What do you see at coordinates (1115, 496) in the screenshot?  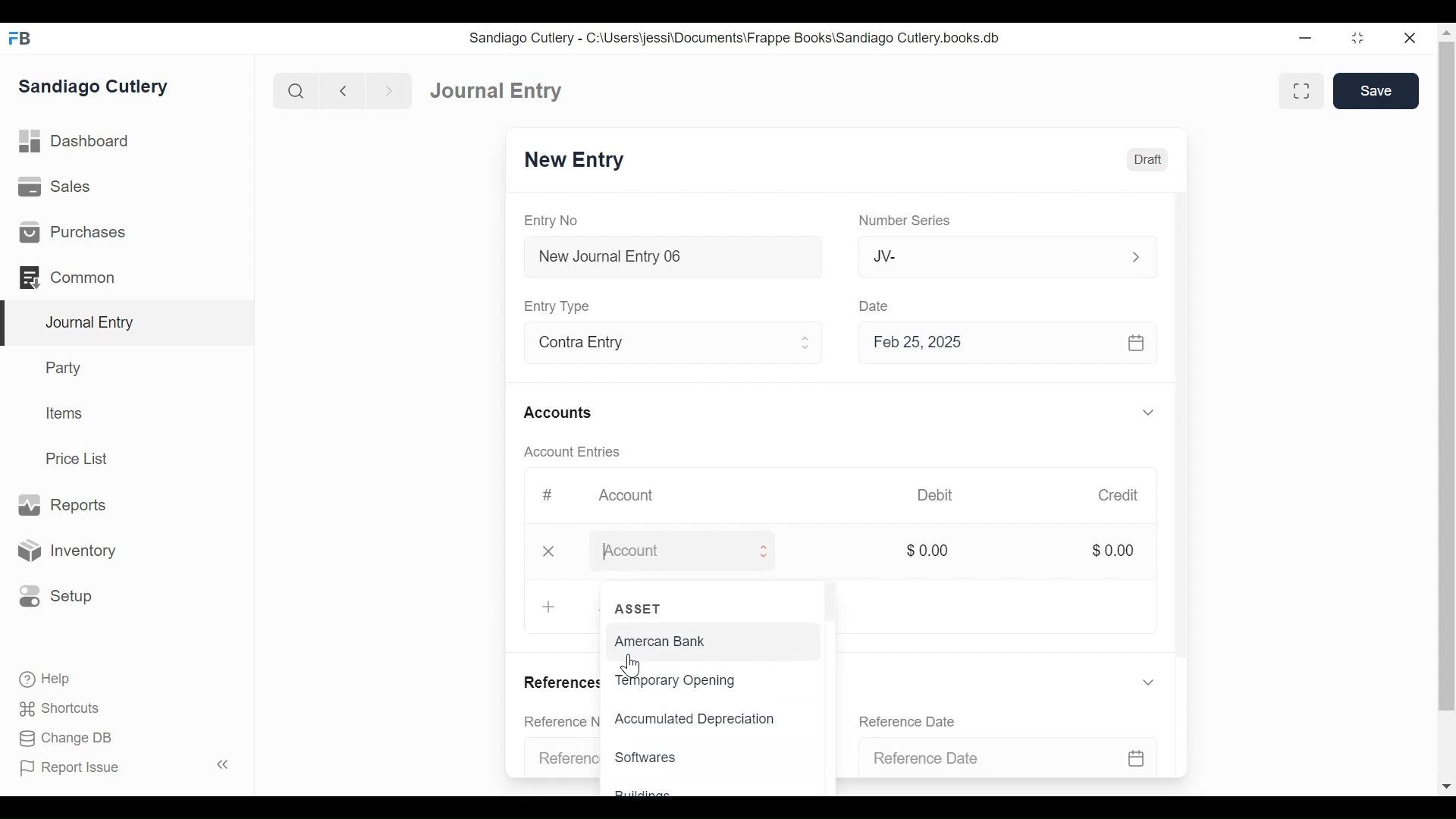 I see `Credit` at bounding box center [1115, 496].